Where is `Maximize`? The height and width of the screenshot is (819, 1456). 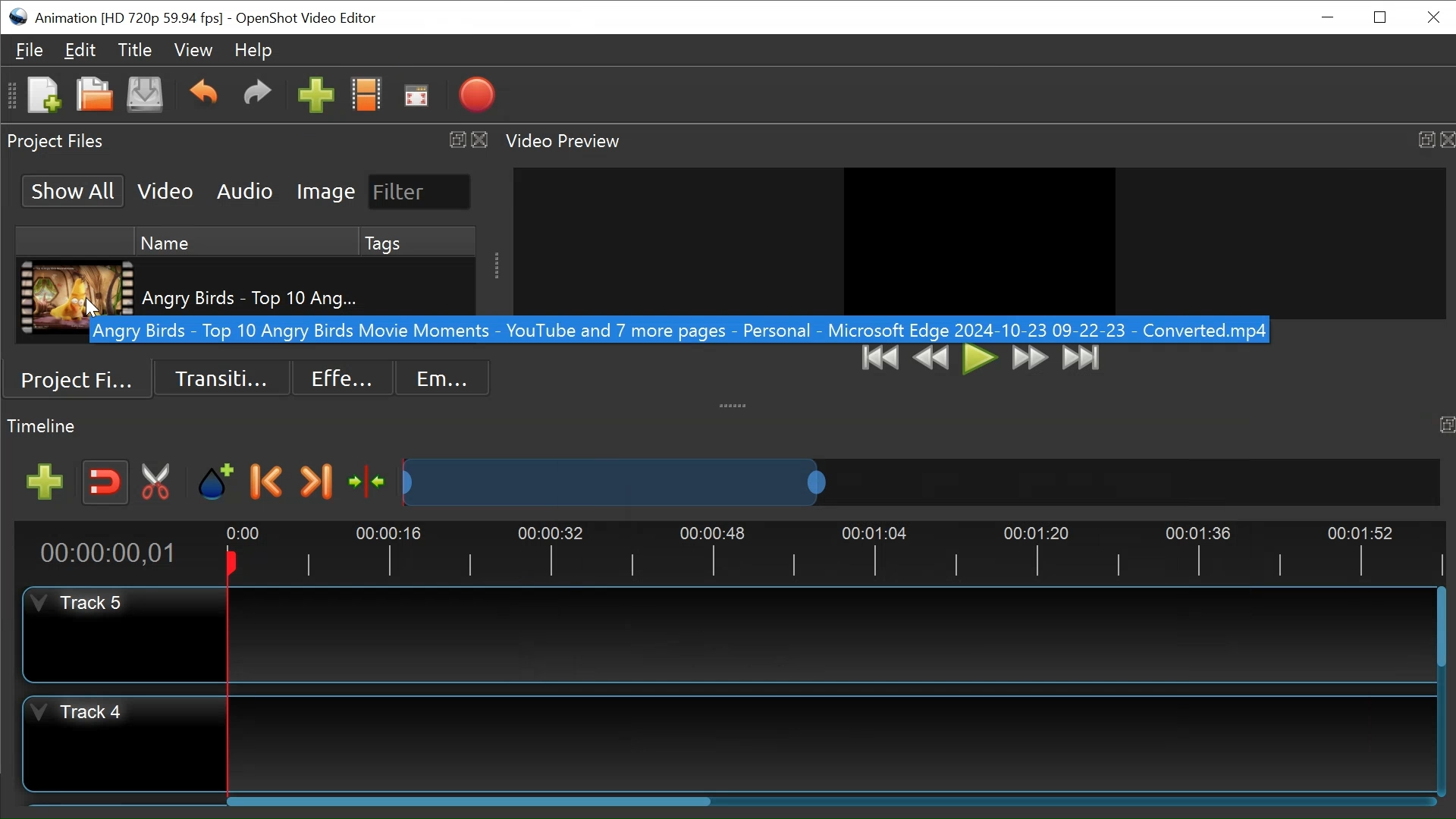
Maximize is located at coordinates (456, 140).